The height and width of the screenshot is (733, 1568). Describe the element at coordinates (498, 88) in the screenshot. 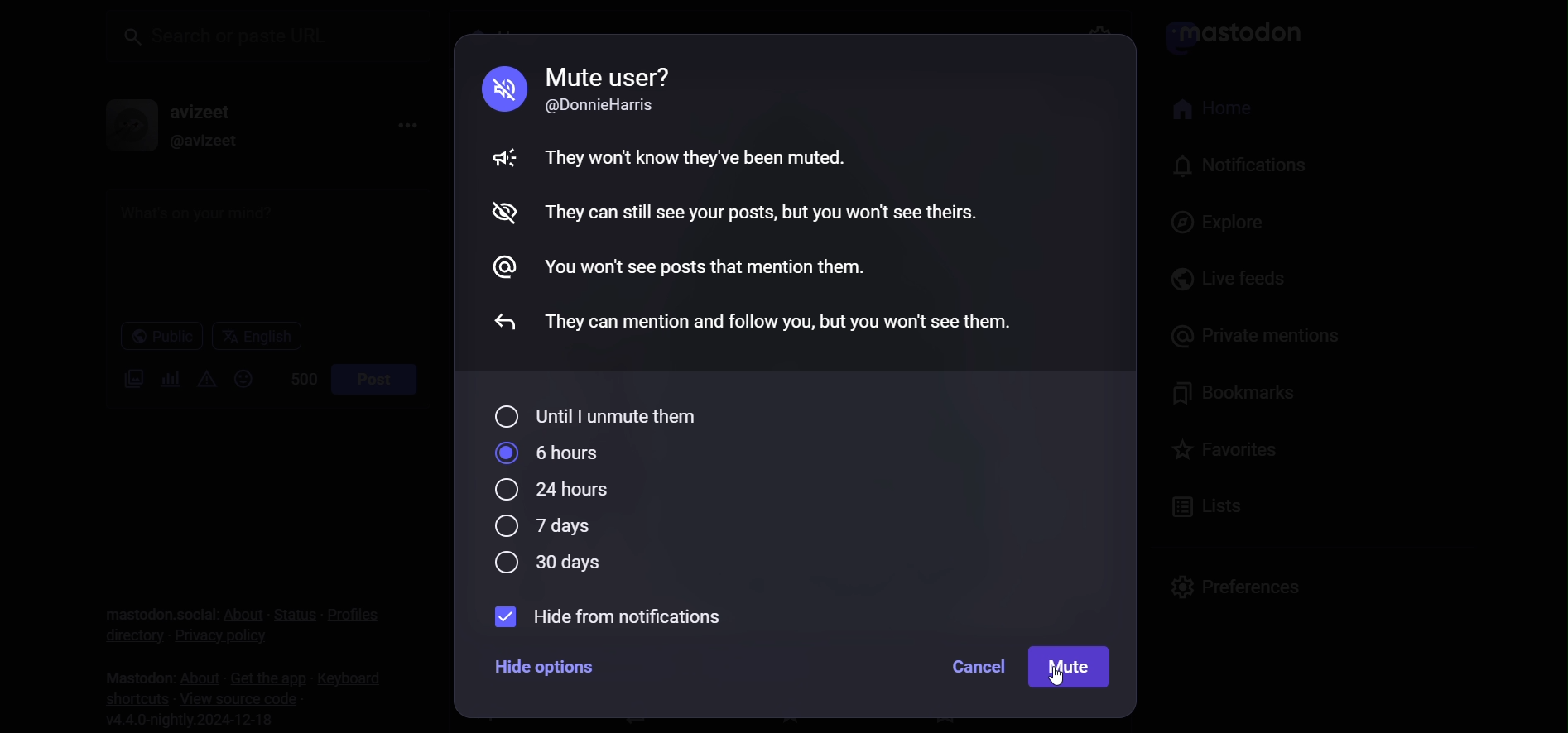

I see `mute` at that location.